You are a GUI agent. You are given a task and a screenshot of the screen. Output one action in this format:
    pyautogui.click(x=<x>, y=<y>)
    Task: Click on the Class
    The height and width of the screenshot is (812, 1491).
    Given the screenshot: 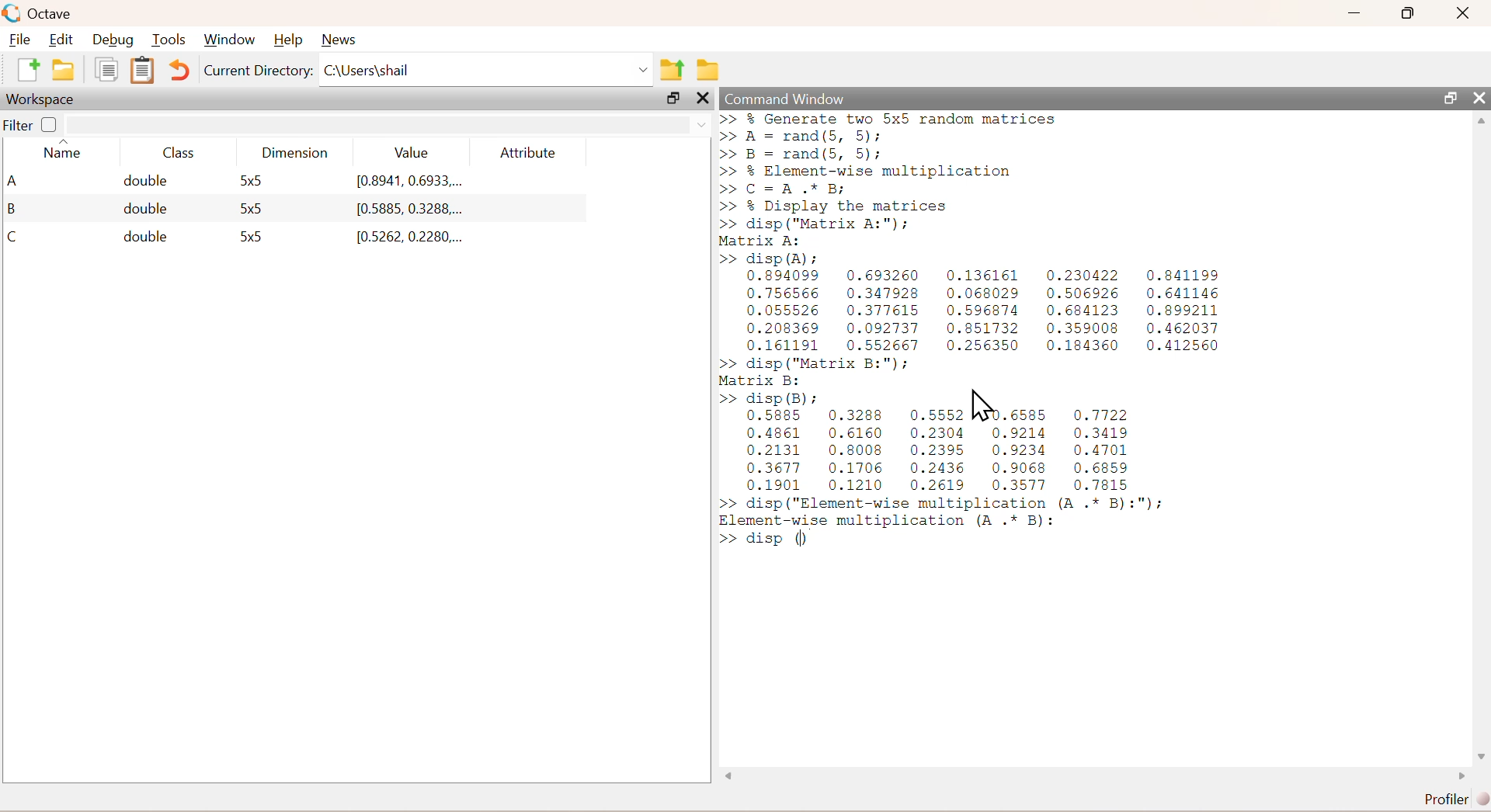 What is the action you would take?
    pyautogui.click(x=181, y=153)
    